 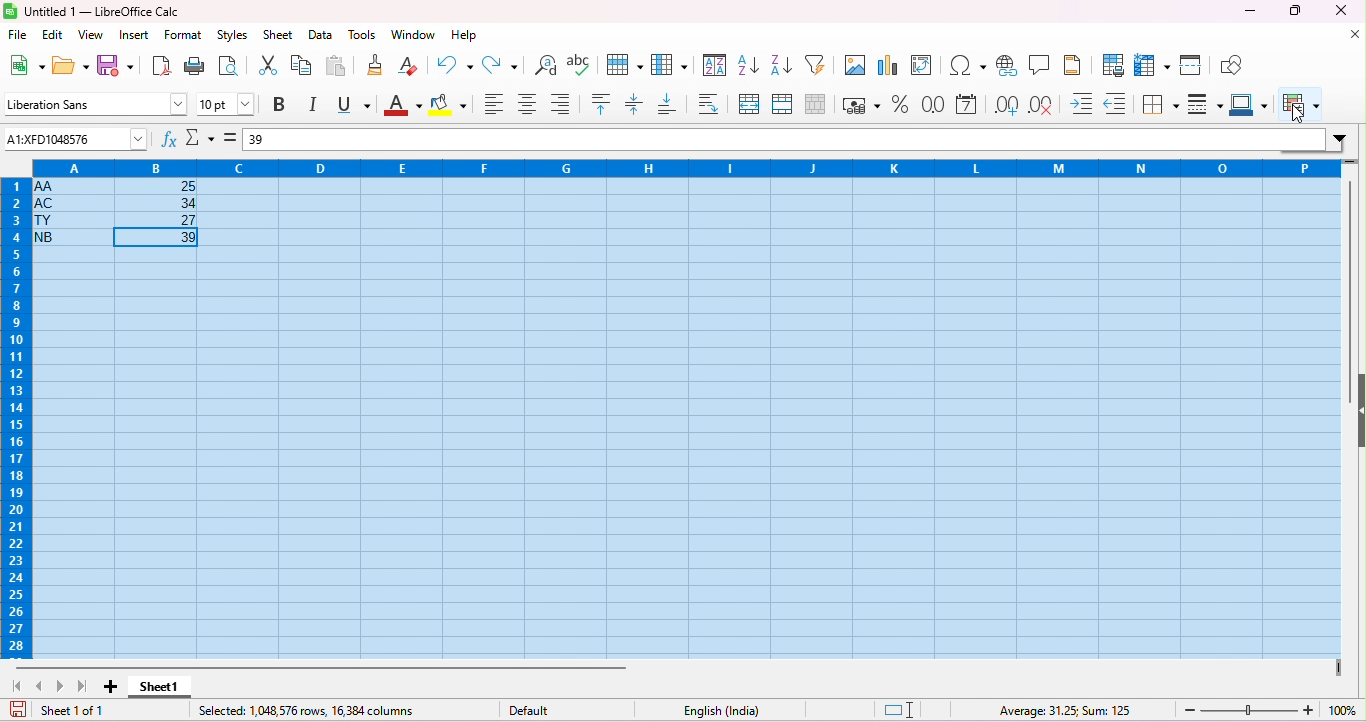 What do you see at coordinates (855, 65) in the screenshot?
I see `insert image` at bounding box center [855, 65].